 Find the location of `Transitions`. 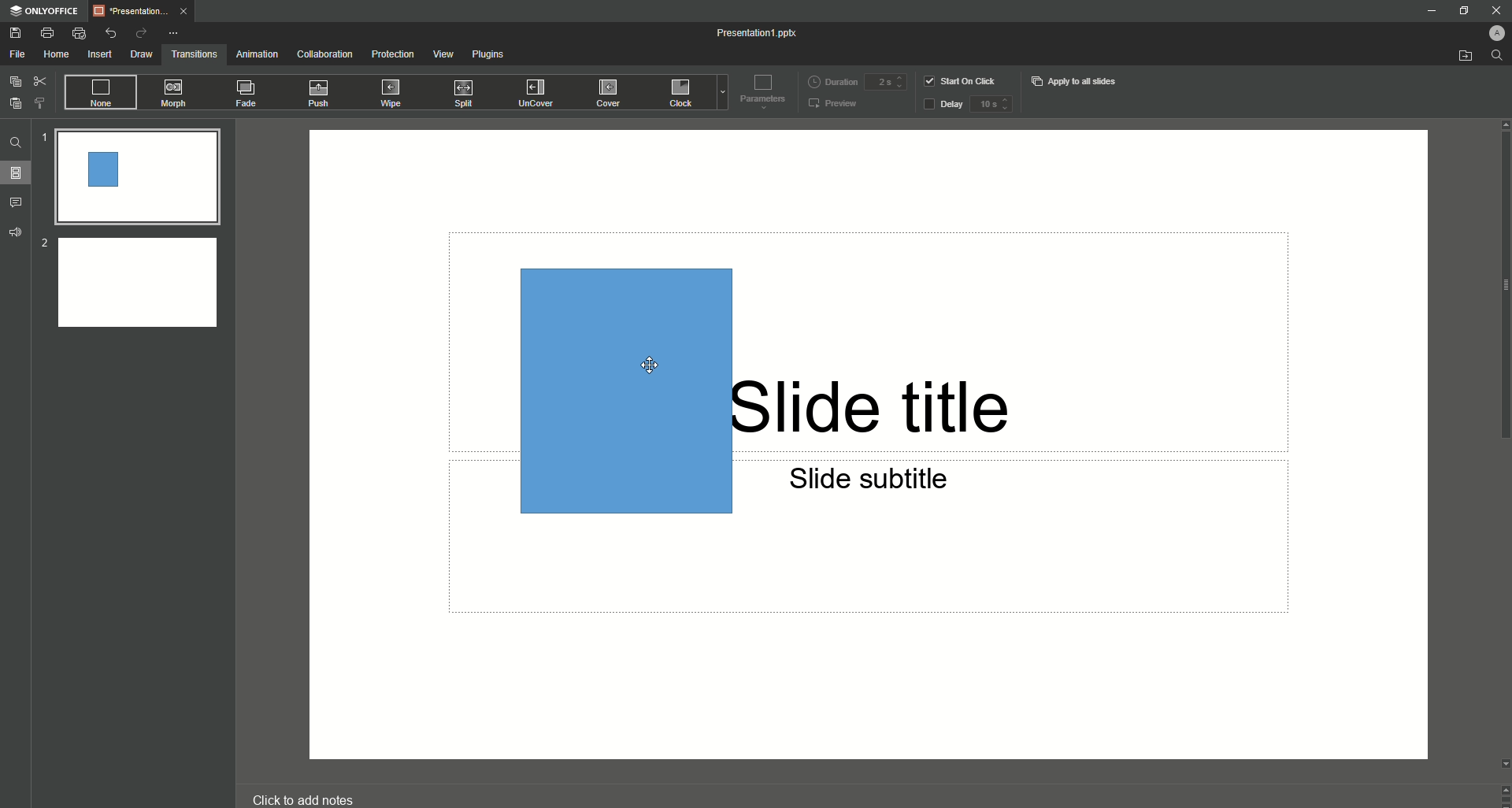

Transitions is located at coordinates (194, 54).